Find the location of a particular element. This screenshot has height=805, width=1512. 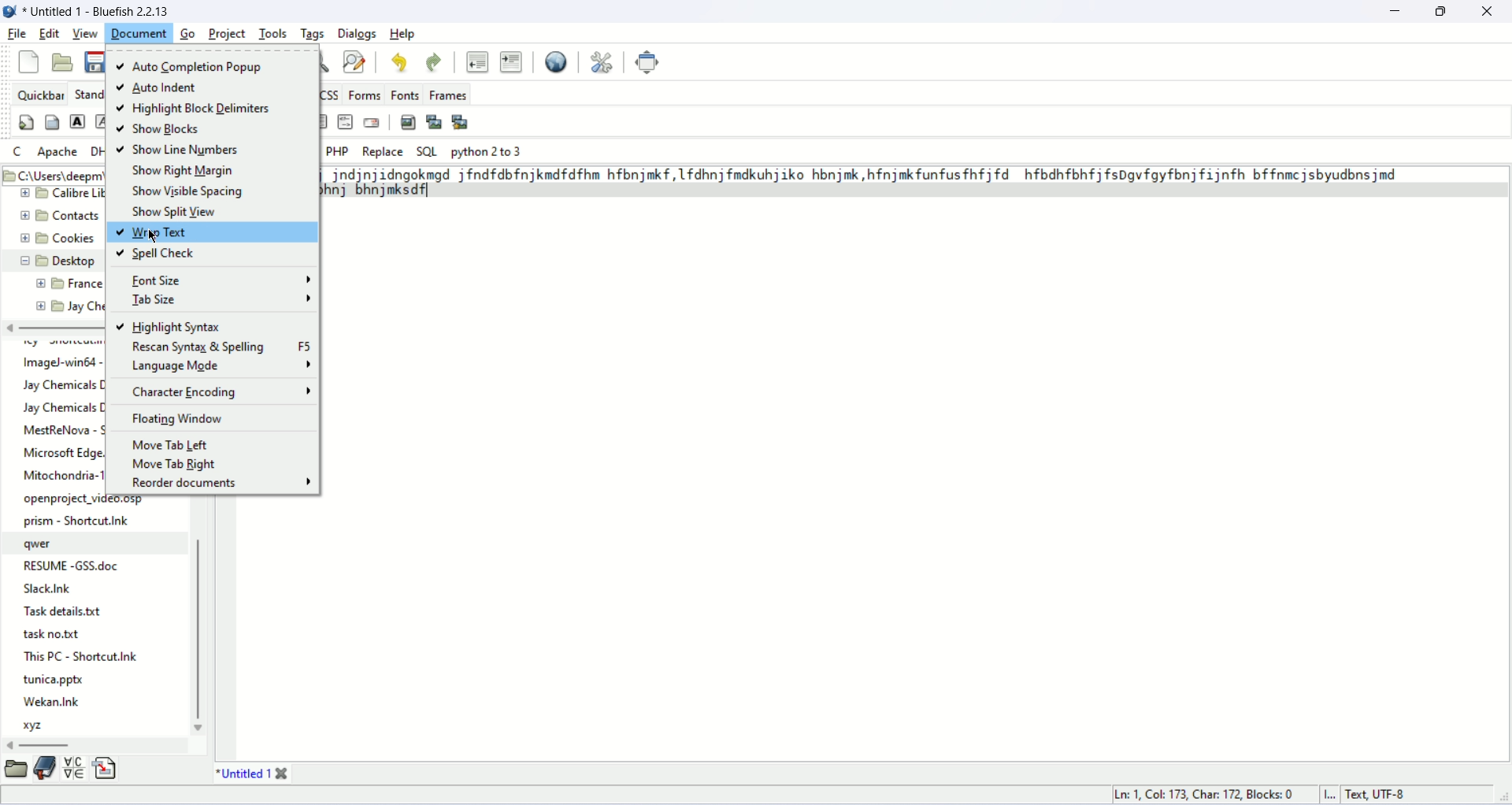

show visible spacing is located at coordinates (188, 191).